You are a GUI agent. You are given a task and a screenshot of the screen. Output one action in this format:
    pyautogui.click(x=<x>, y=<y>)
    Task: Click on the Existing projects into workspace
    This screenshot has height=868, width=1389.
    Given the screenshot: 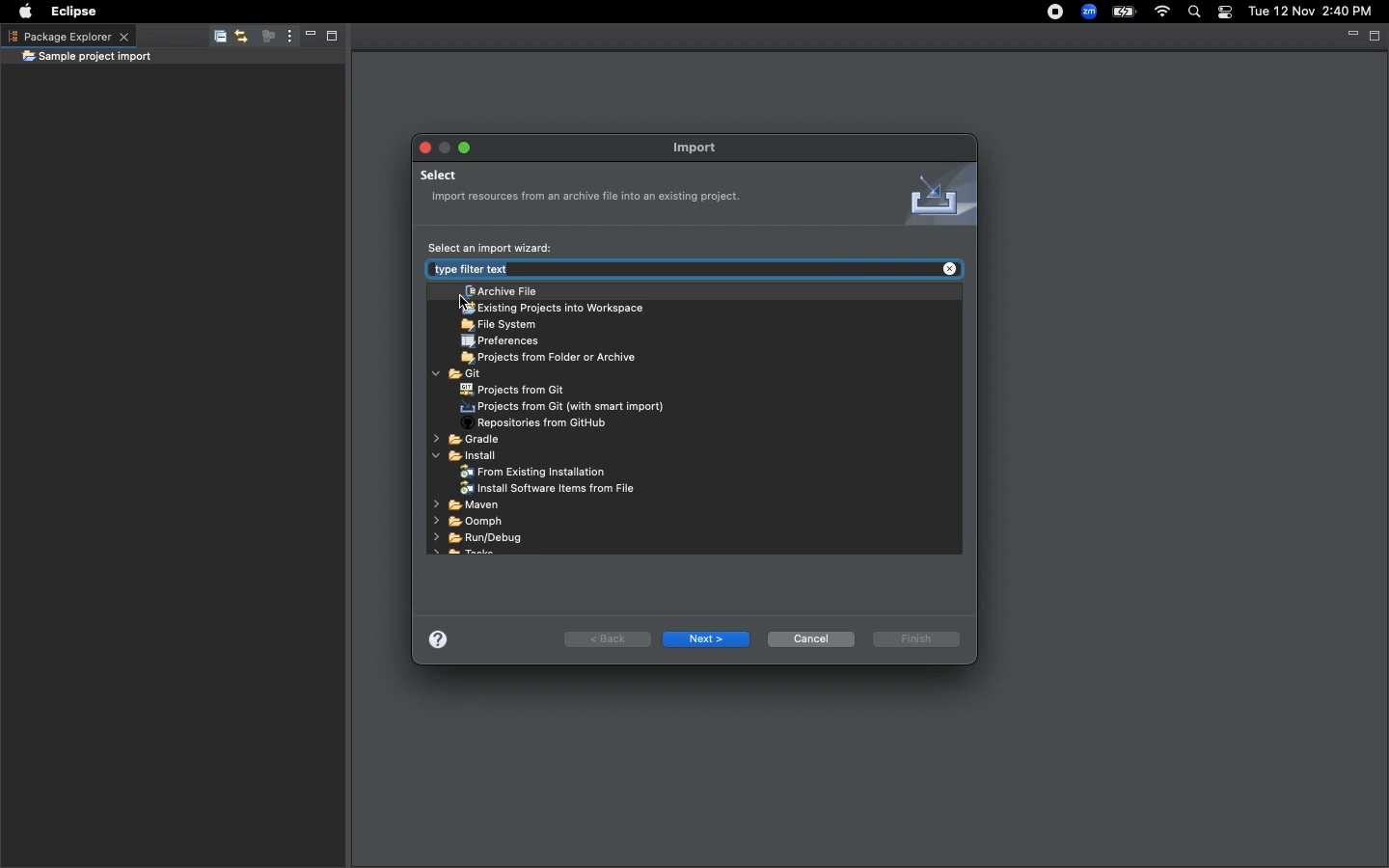 What is the action you would take?
    pyautogui.click(x=552, y=309)
    